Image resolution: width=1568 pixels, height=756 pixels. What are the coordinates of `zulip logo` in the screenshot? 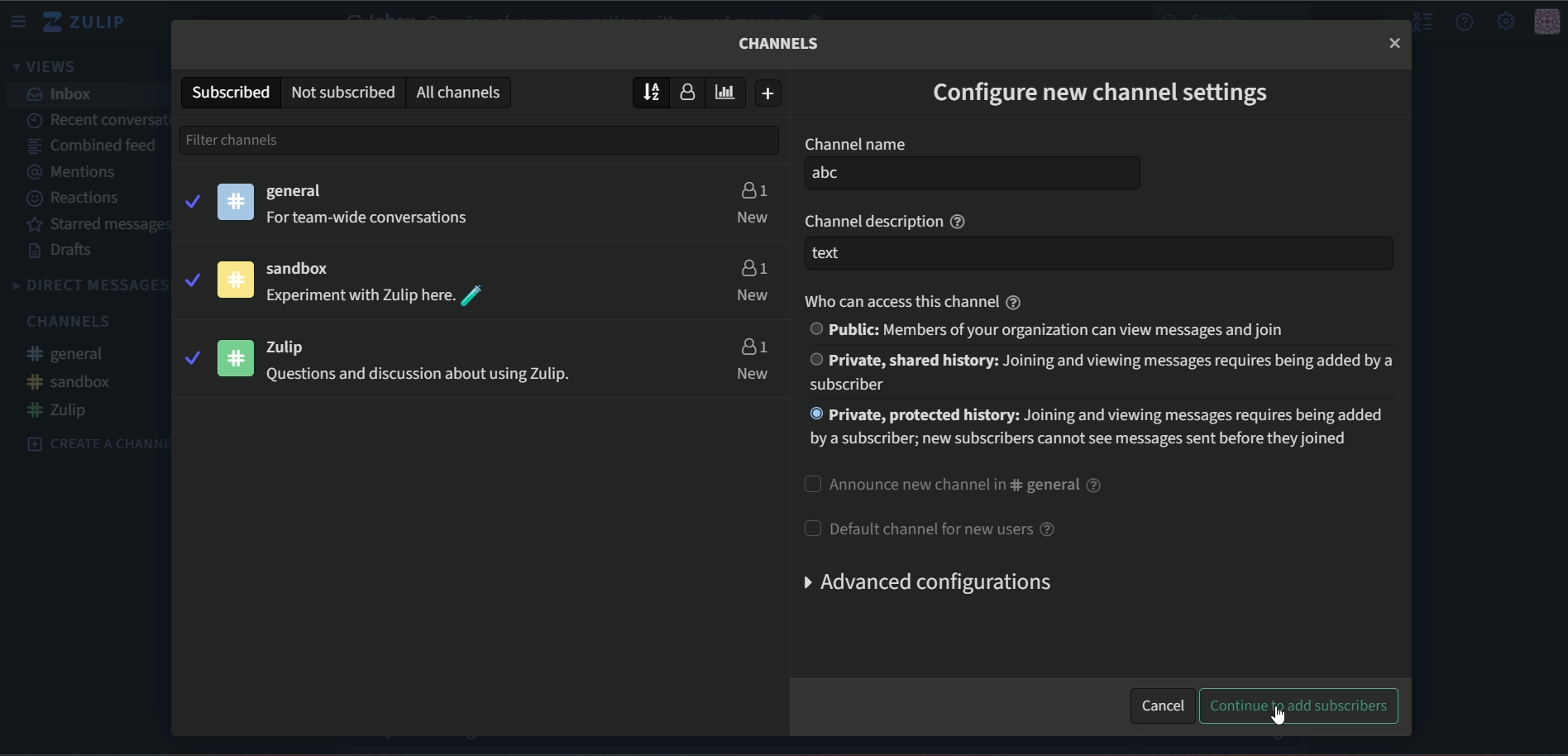 It's located at (90, 22).